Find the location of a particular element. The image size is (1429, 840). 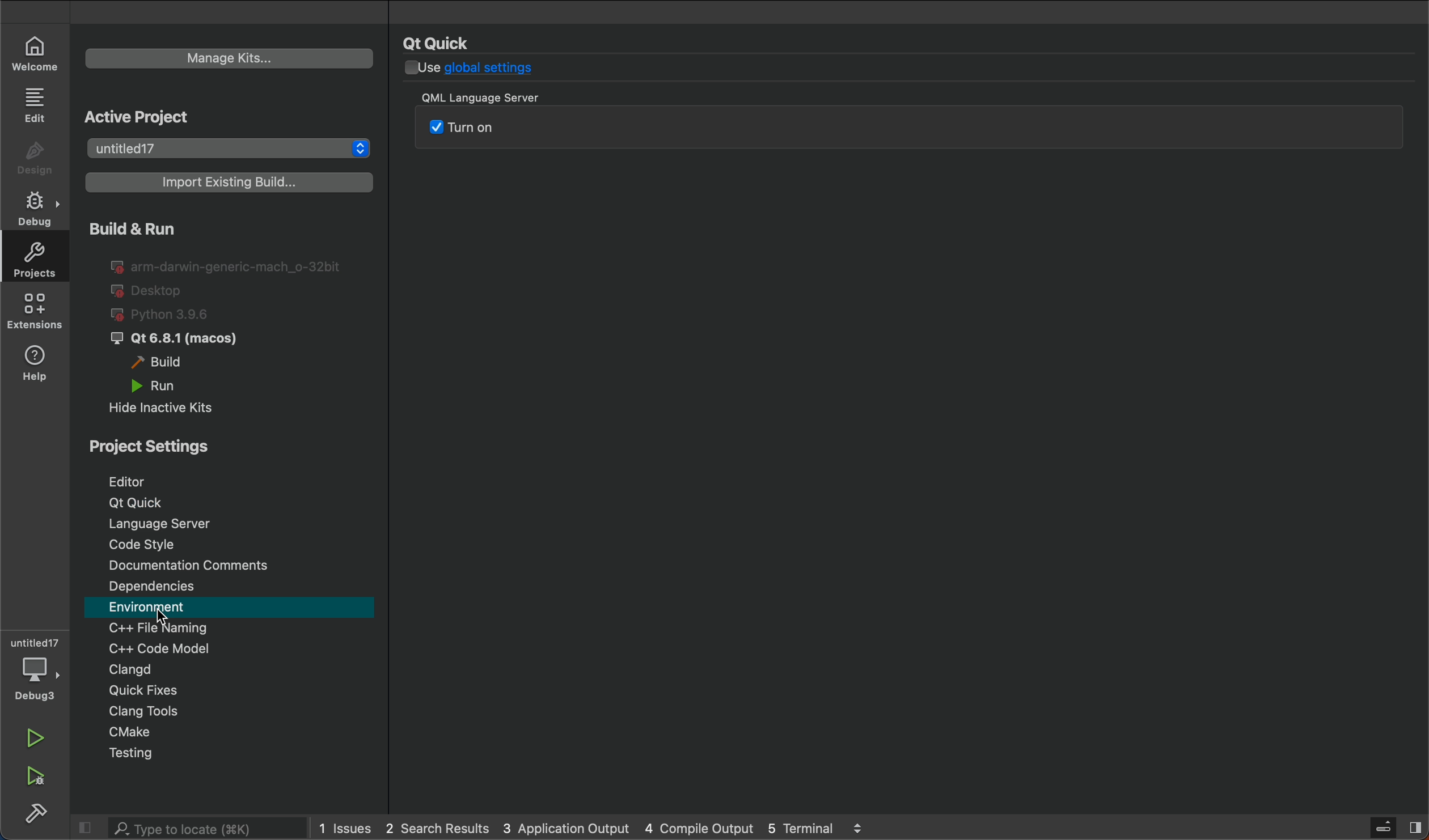

Qt Quick is located at coordinates (238, 503).